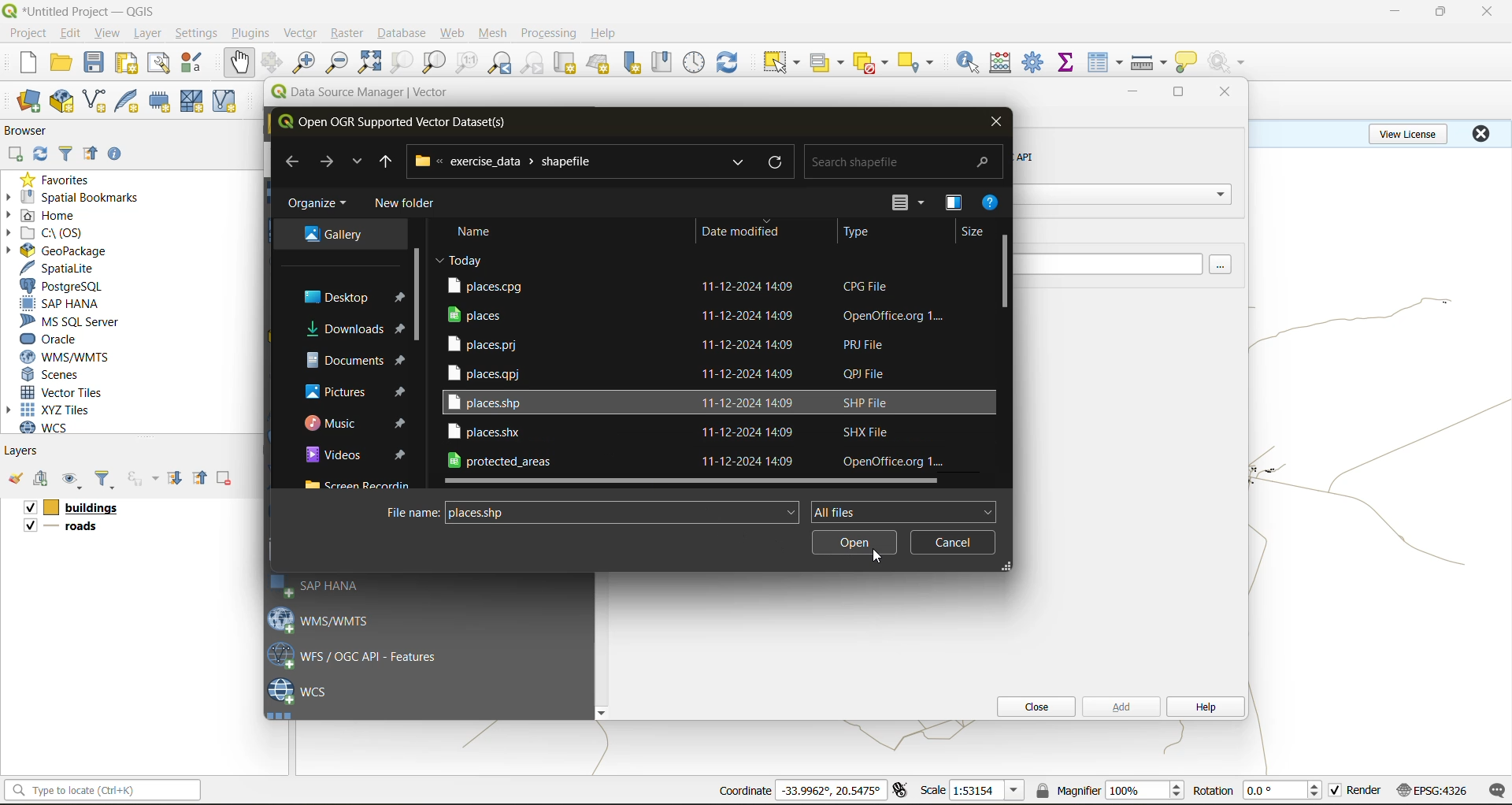 The height and width of the screenshot is (805, 1512). Describe the element at coordinates (779, 63) in the screenshot. I see `select` at that location.